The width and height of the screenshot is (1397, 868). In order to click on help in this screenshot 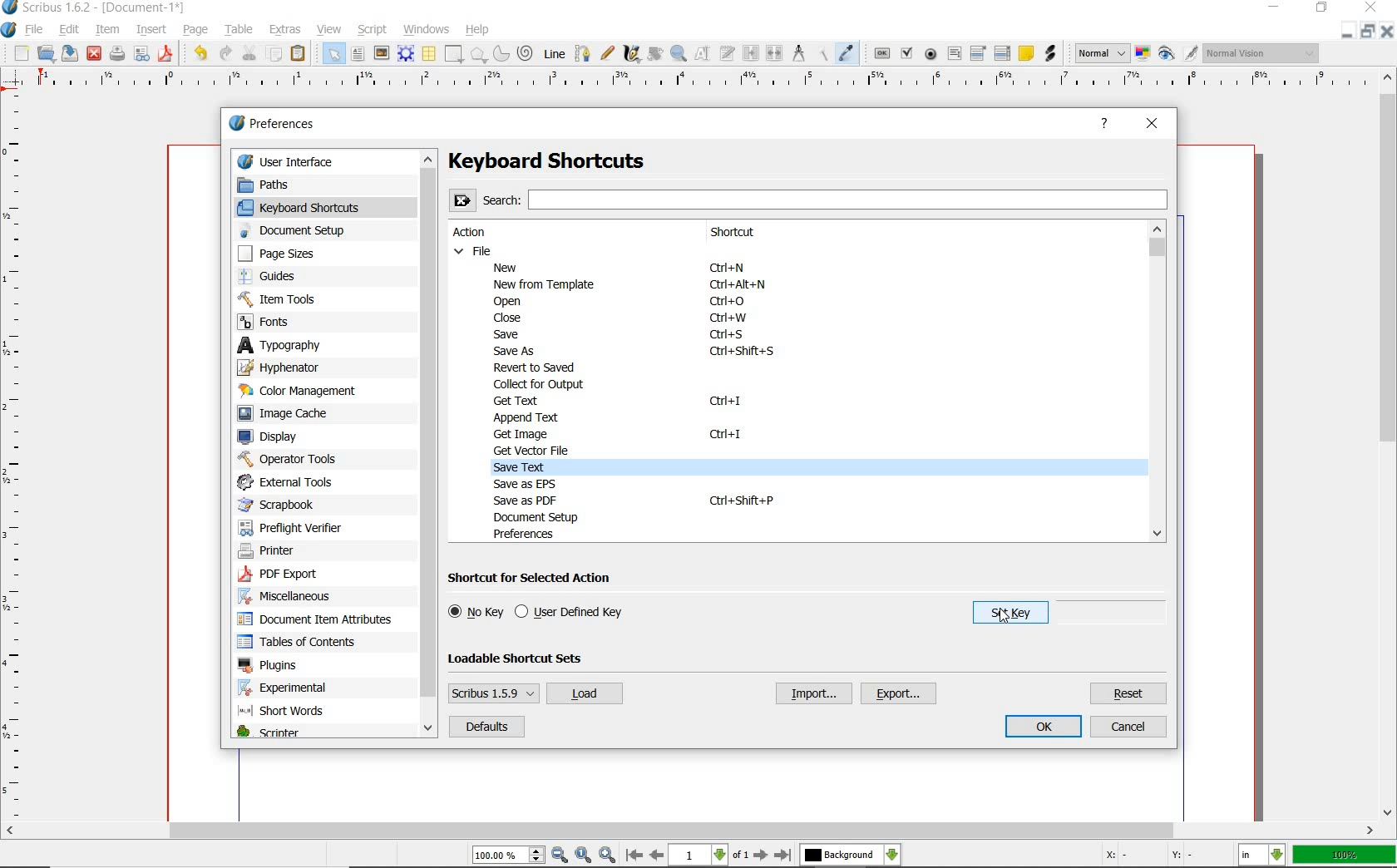, I will do `click(478, 31)`.